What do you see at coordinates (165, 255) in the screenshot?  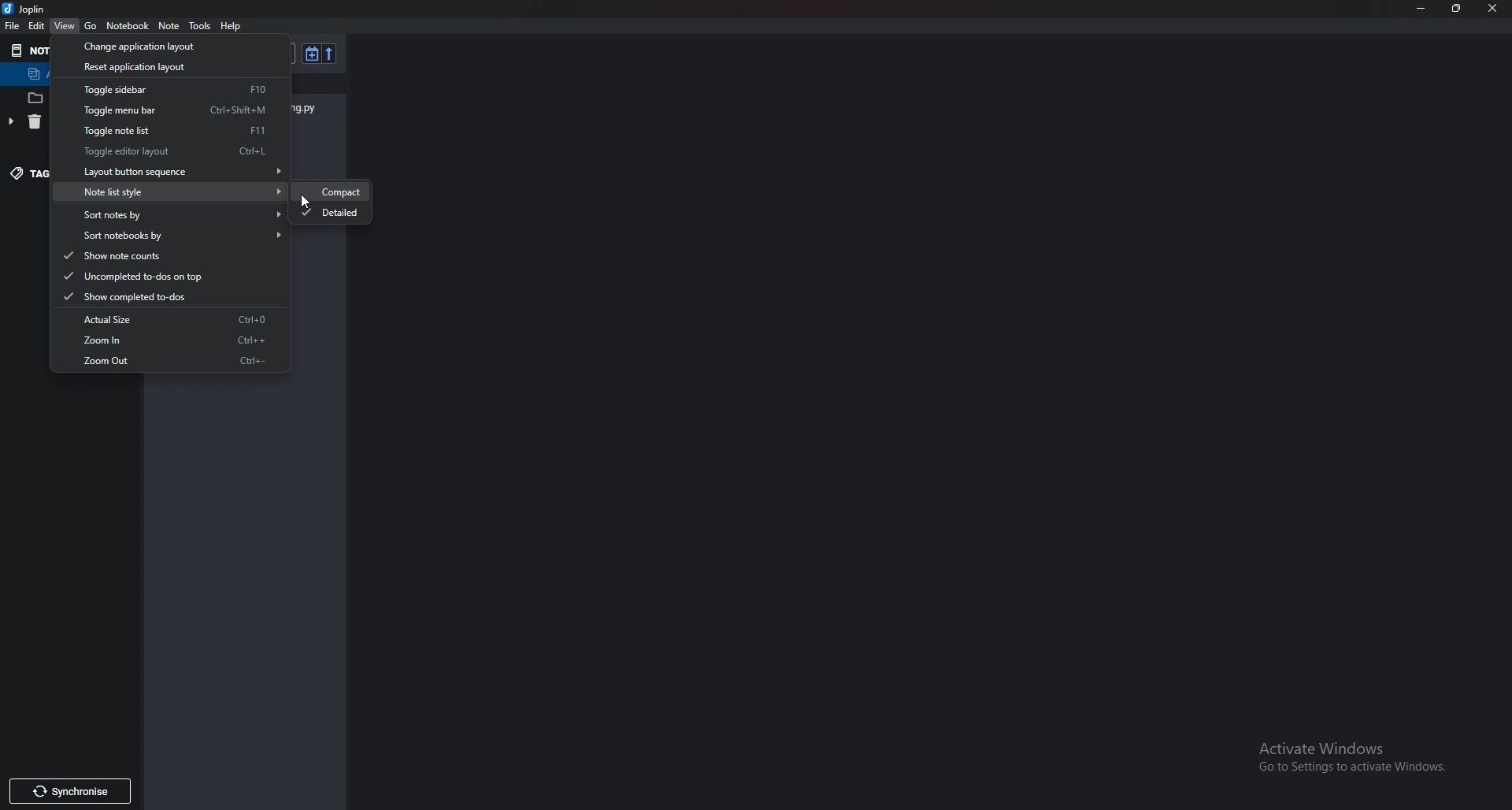 I see `Show notecounts` at bounding box center [165, 255].